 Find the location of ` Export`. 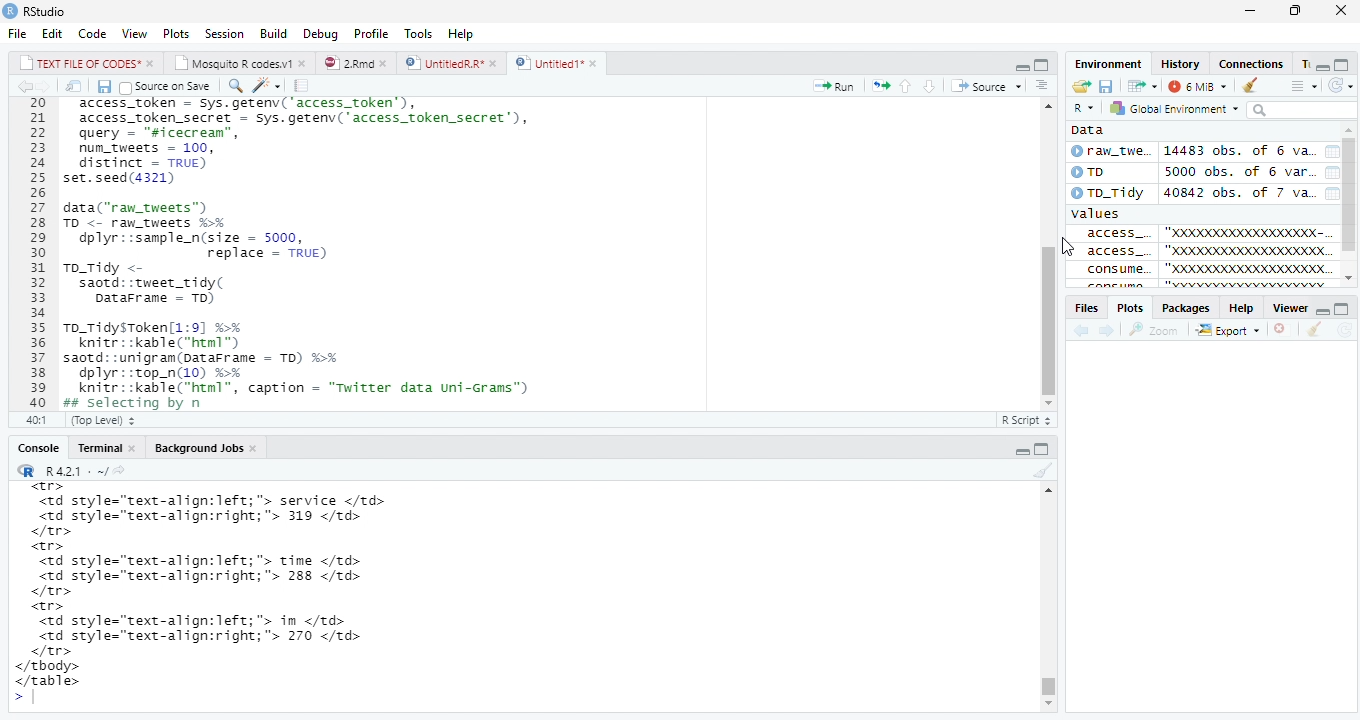

 Export is located at coordinates (1231, 331).